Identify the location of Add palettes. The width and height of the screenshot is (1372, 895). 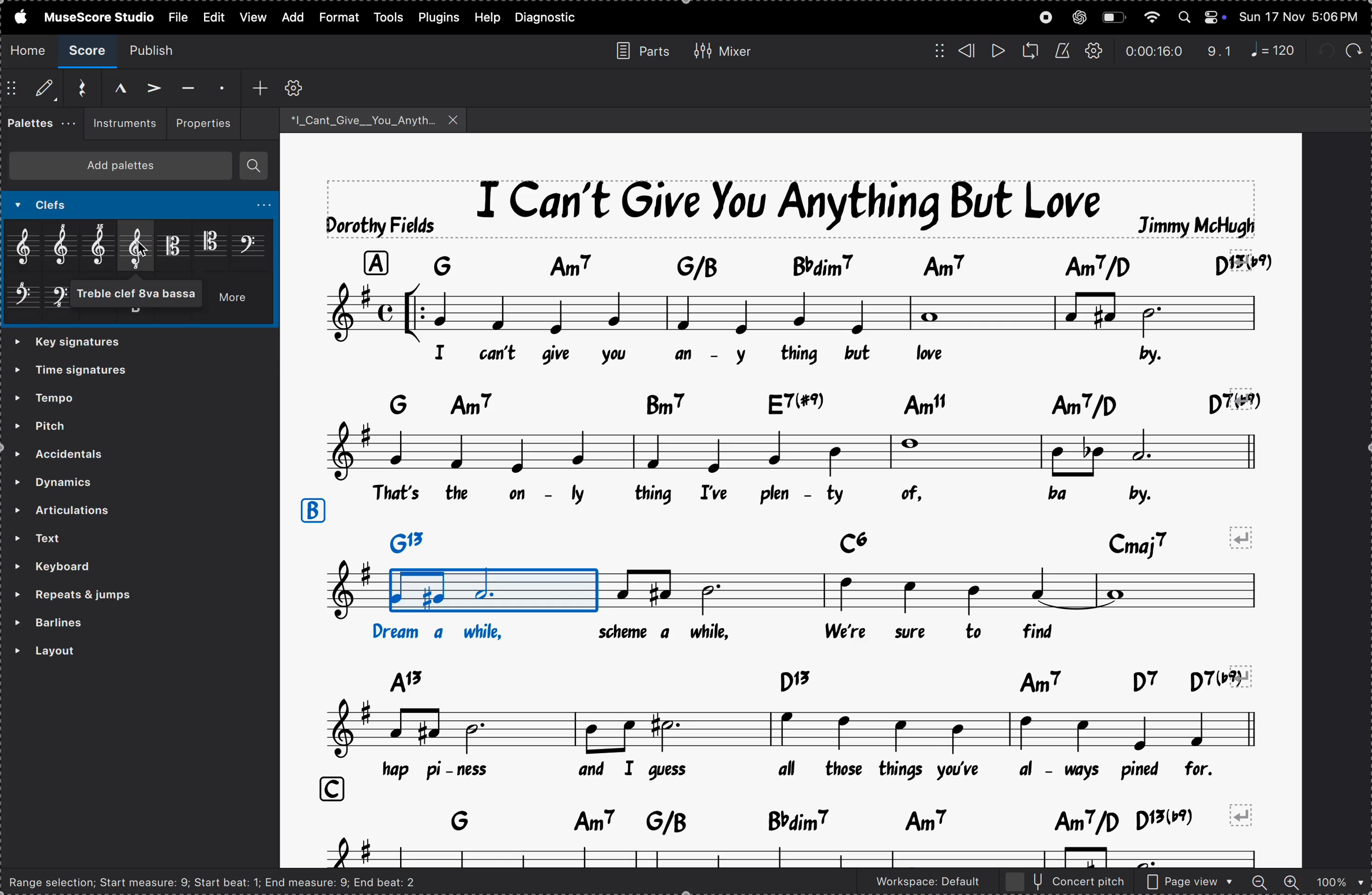
(126, 168).